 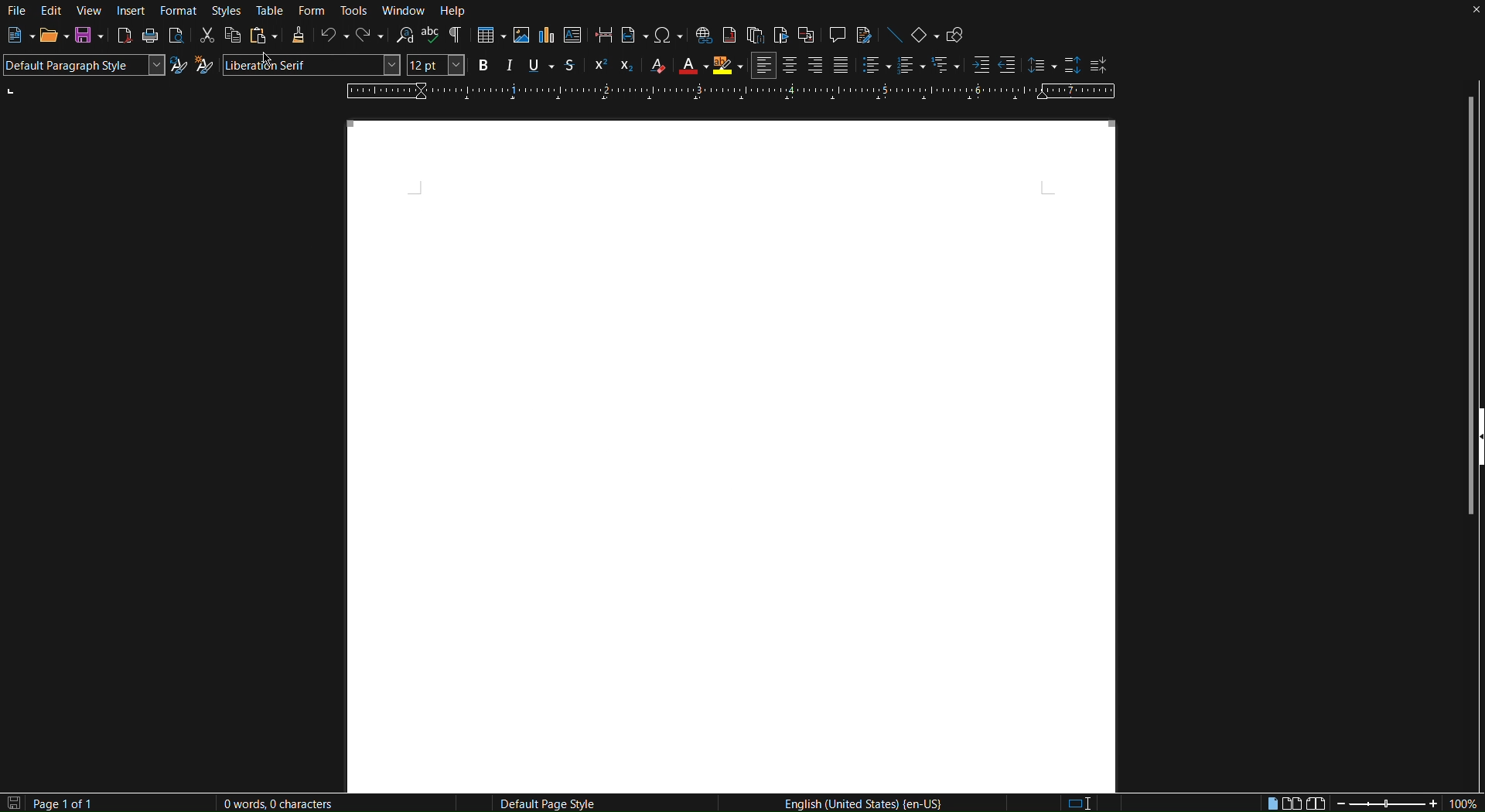 I want to click on Close, so click(x=1467, y=12).